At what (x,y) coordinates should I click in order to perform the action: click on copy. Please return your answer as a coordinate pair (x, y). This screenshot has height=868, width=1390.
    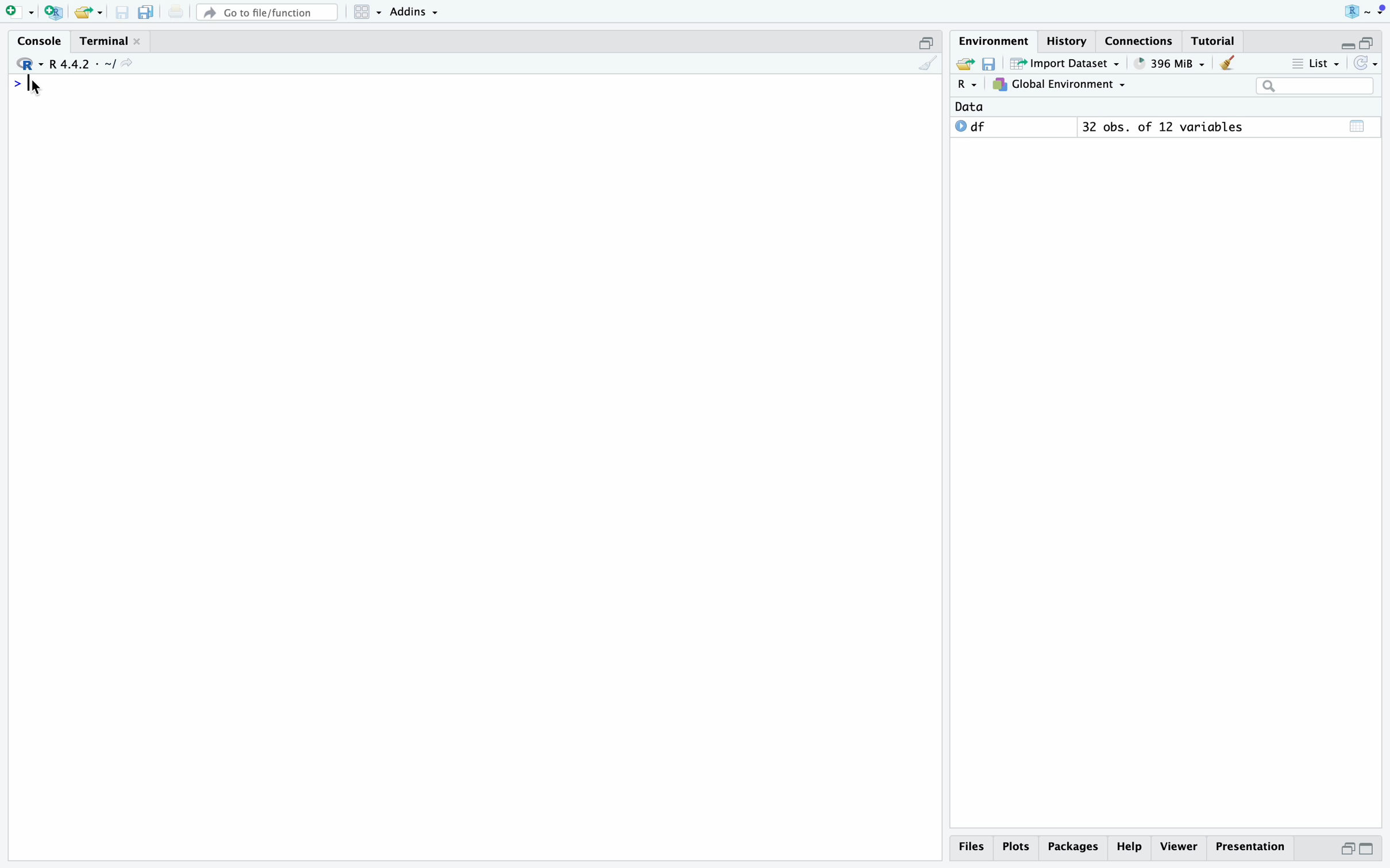
    Looking at the image, I should click on (148, 13).